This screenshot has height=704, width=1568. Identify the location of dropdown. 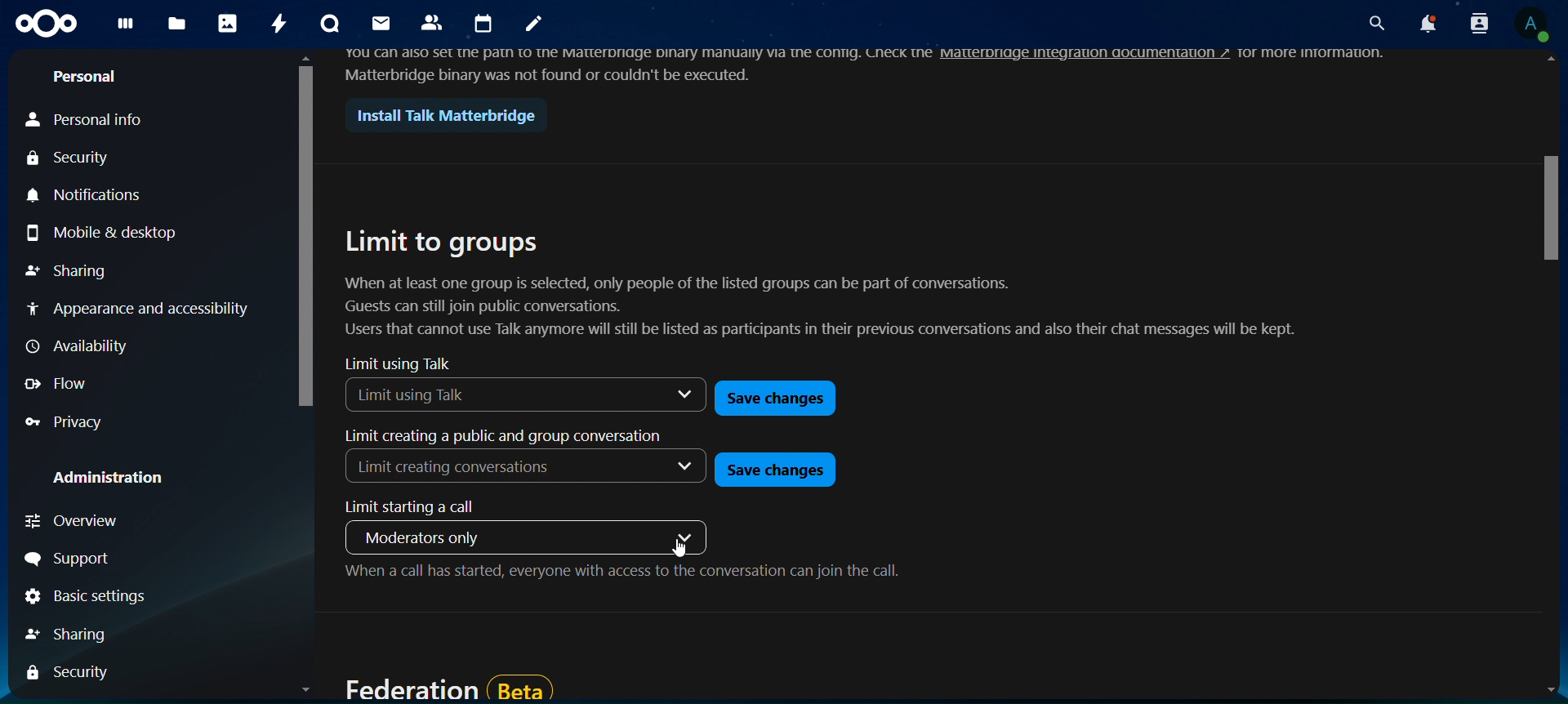
(671, 394).